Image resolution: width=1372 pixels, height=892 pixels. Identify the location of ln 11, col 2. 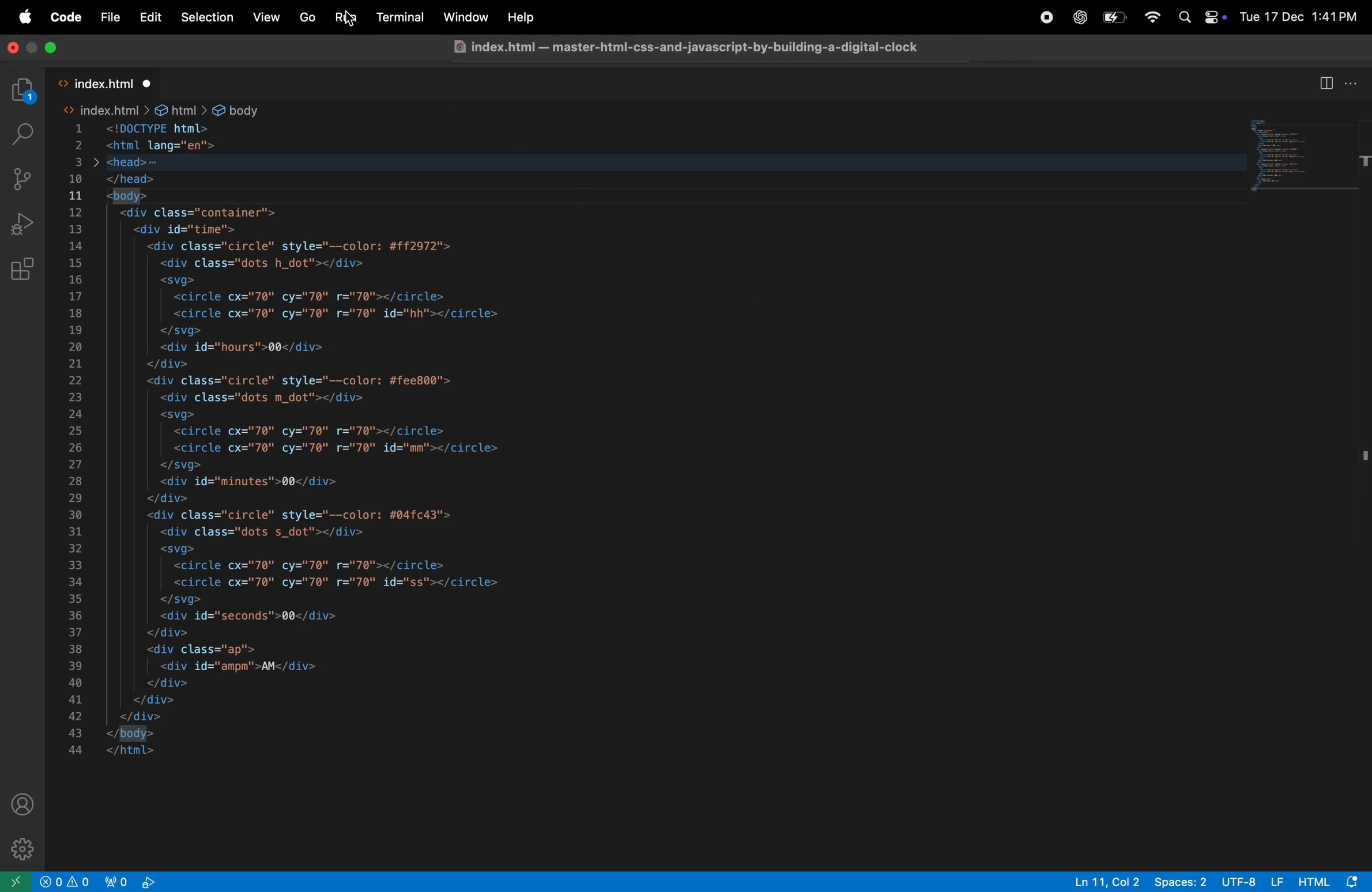
(1104, 881).